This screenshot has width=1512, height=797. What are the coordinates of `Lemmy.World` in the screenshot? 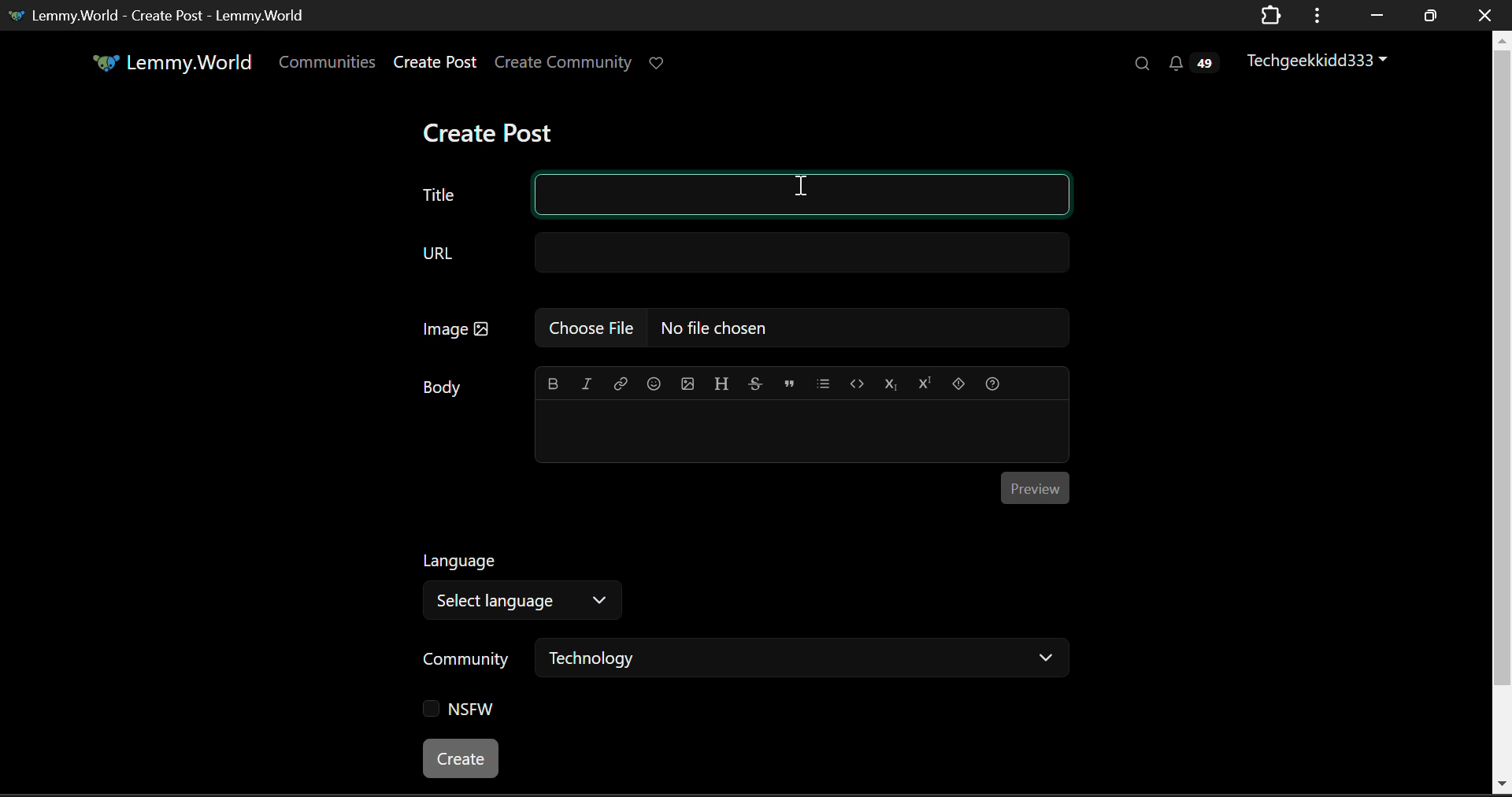 It's located at (162, 62).